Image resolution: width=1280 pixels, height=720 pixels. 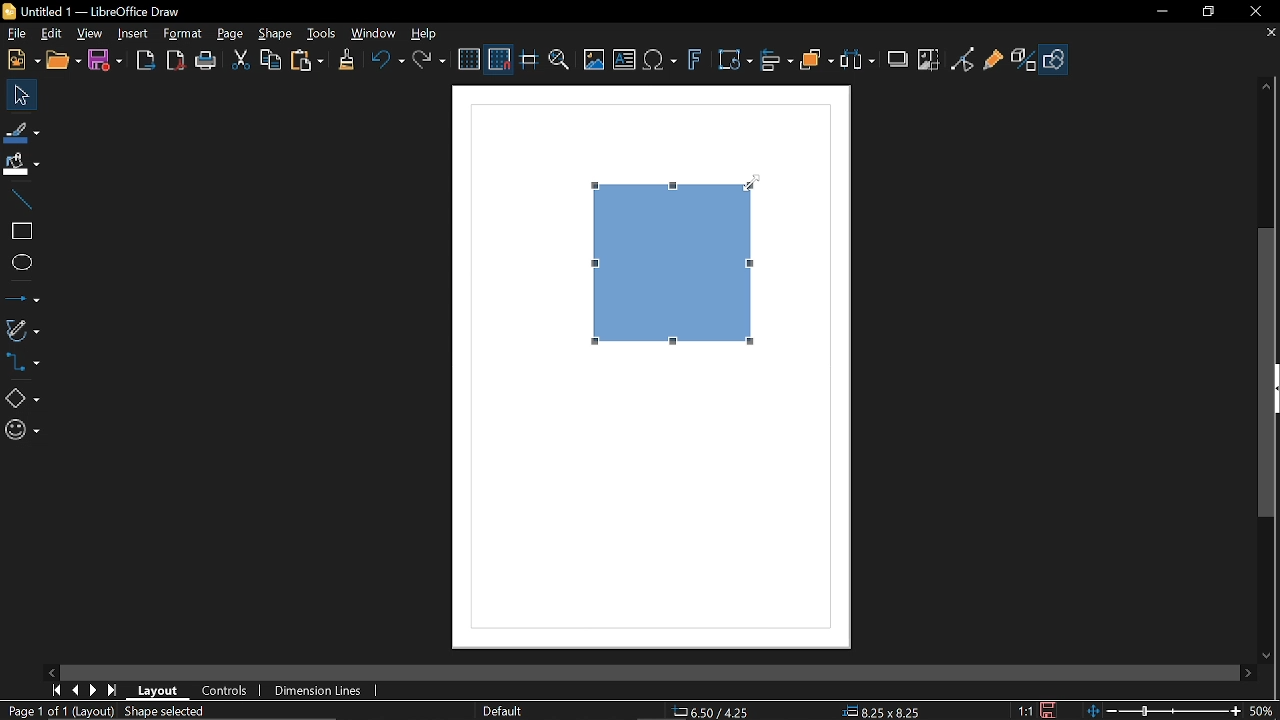 I want to click on Zoom control, so click(x=1160, y=711).